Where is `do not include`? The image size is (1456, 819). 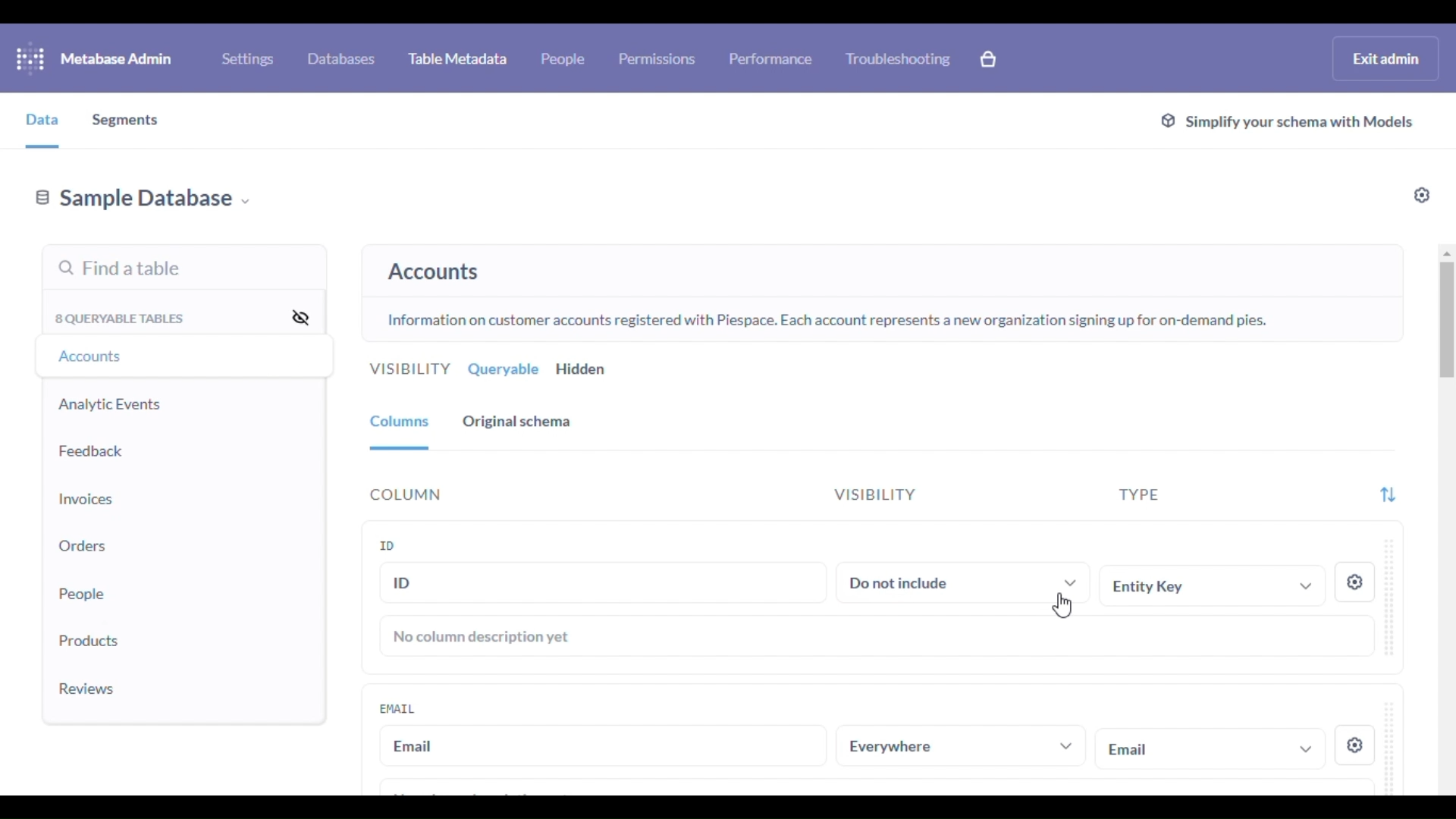
do not include is located at coordinates (964, 581).